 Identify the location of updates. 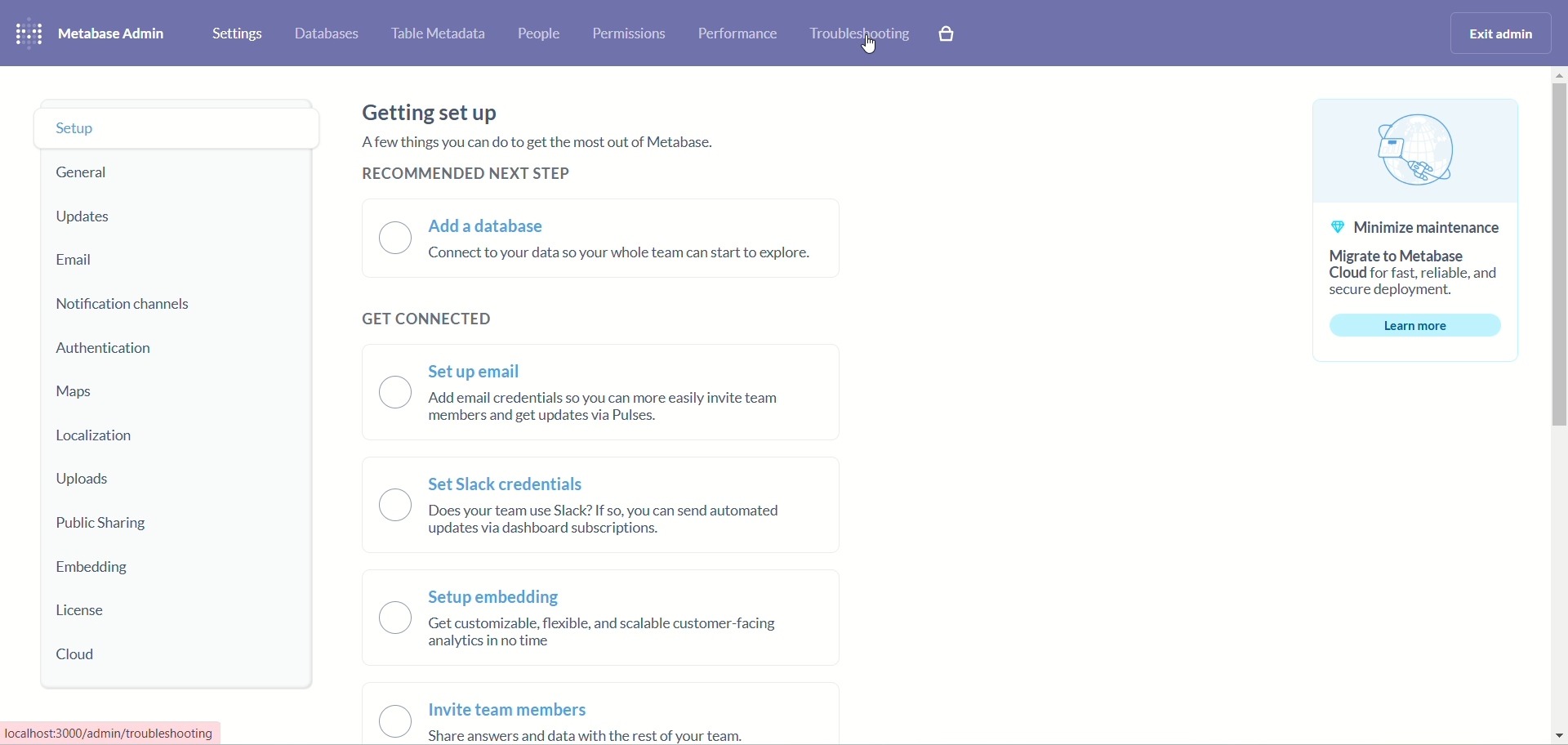
(94, 214).